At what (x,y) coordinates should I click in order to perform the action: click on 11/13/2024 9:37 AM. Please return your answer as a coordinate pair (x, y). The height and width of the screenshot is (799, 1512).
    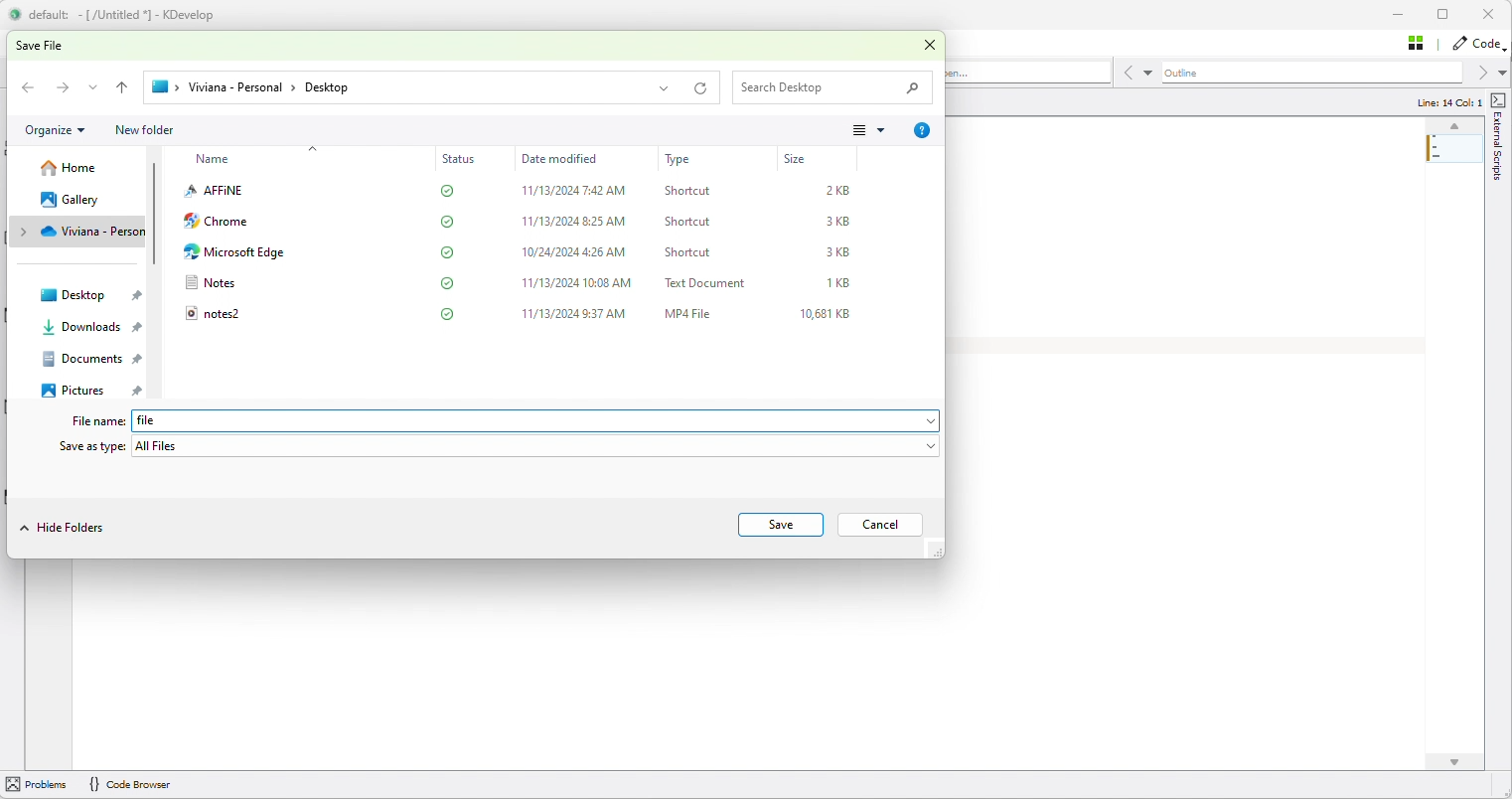
    Looking at the image, I should click on (577, 314).